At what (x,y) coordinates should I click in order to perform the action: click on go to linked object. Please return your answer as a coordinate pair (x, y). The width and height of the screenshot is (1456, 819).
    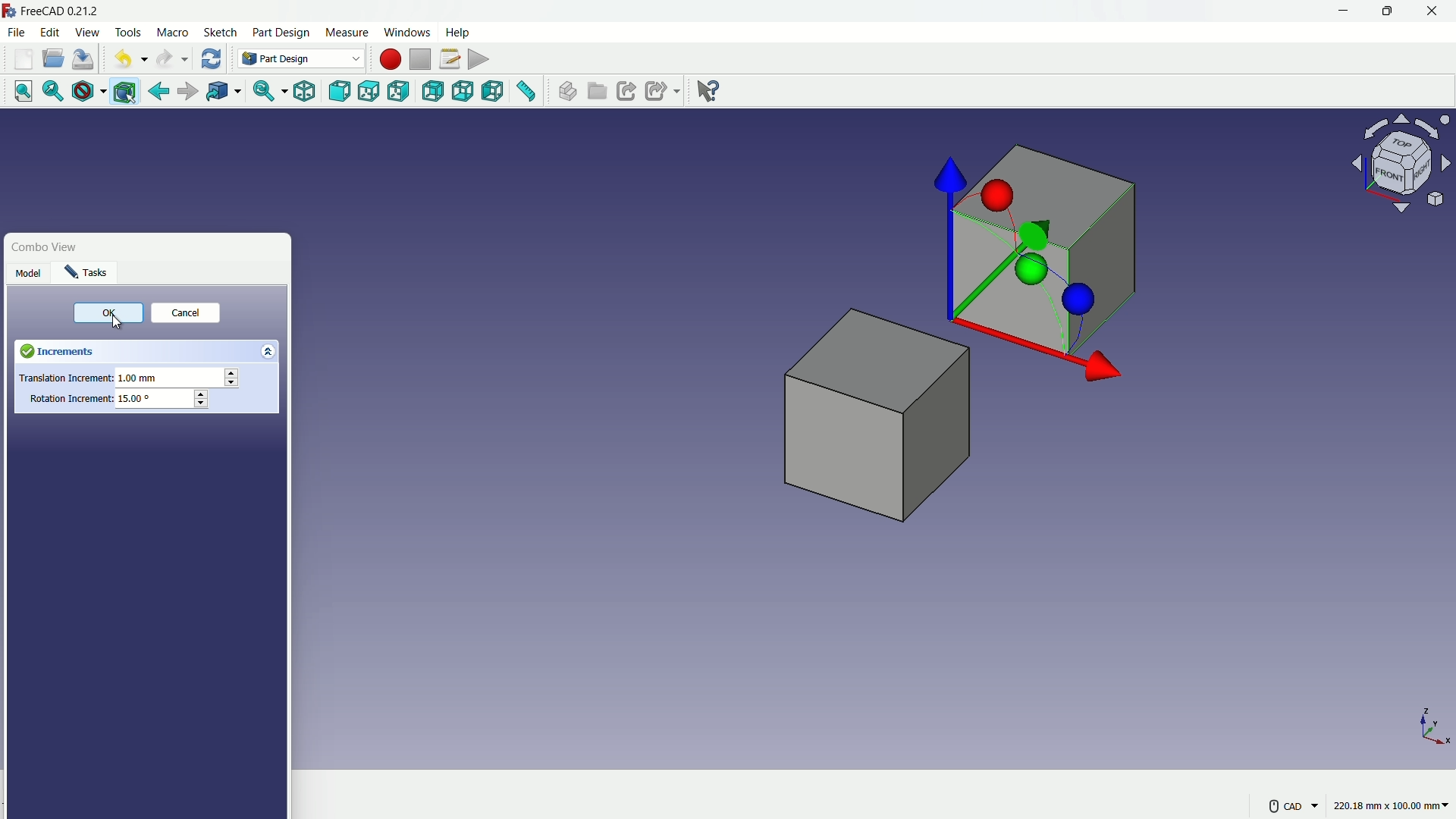
    Looking at the image, I should click on (222, 93).